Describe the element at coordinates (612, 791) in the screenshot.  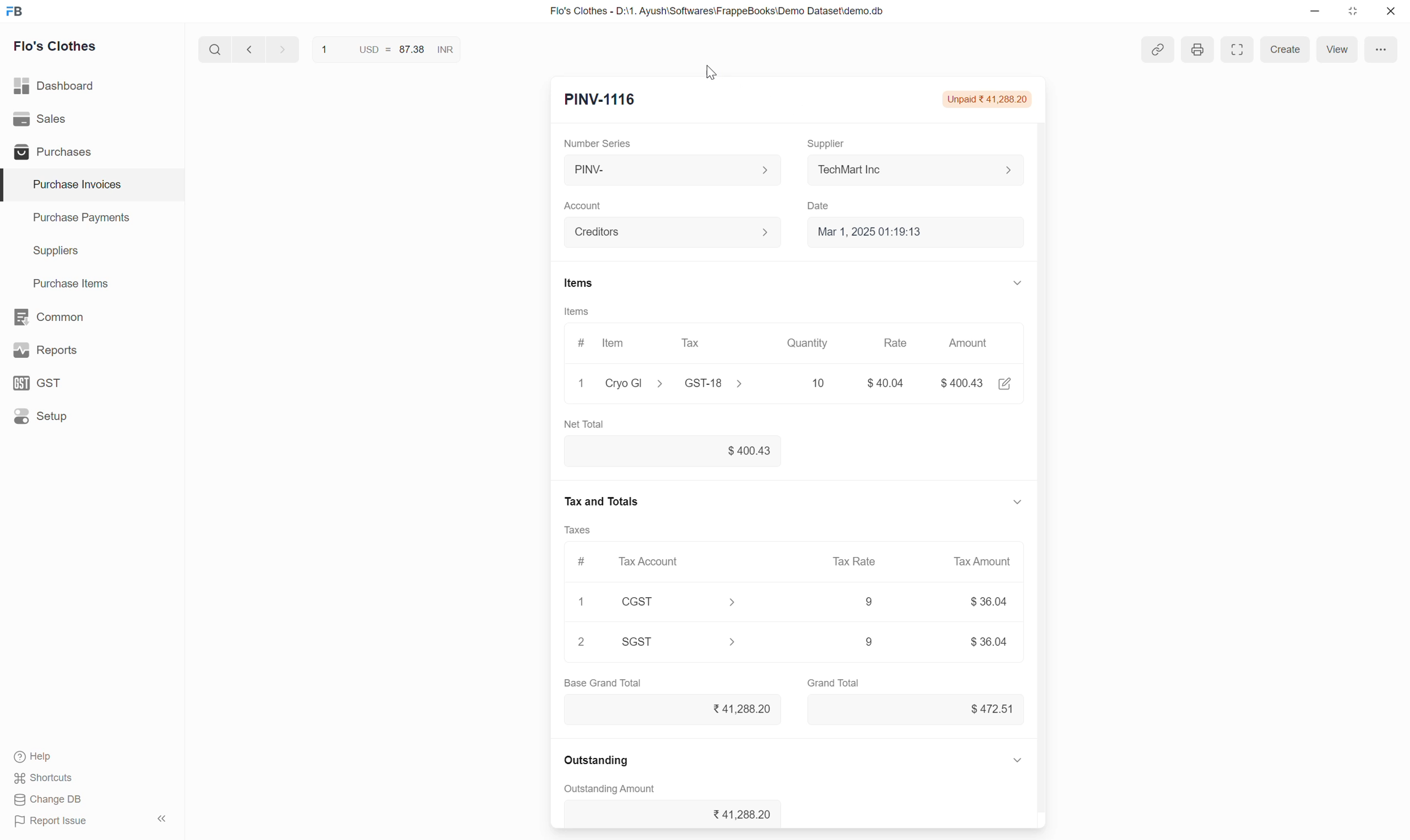
I see `Outstanding amount` at that location.